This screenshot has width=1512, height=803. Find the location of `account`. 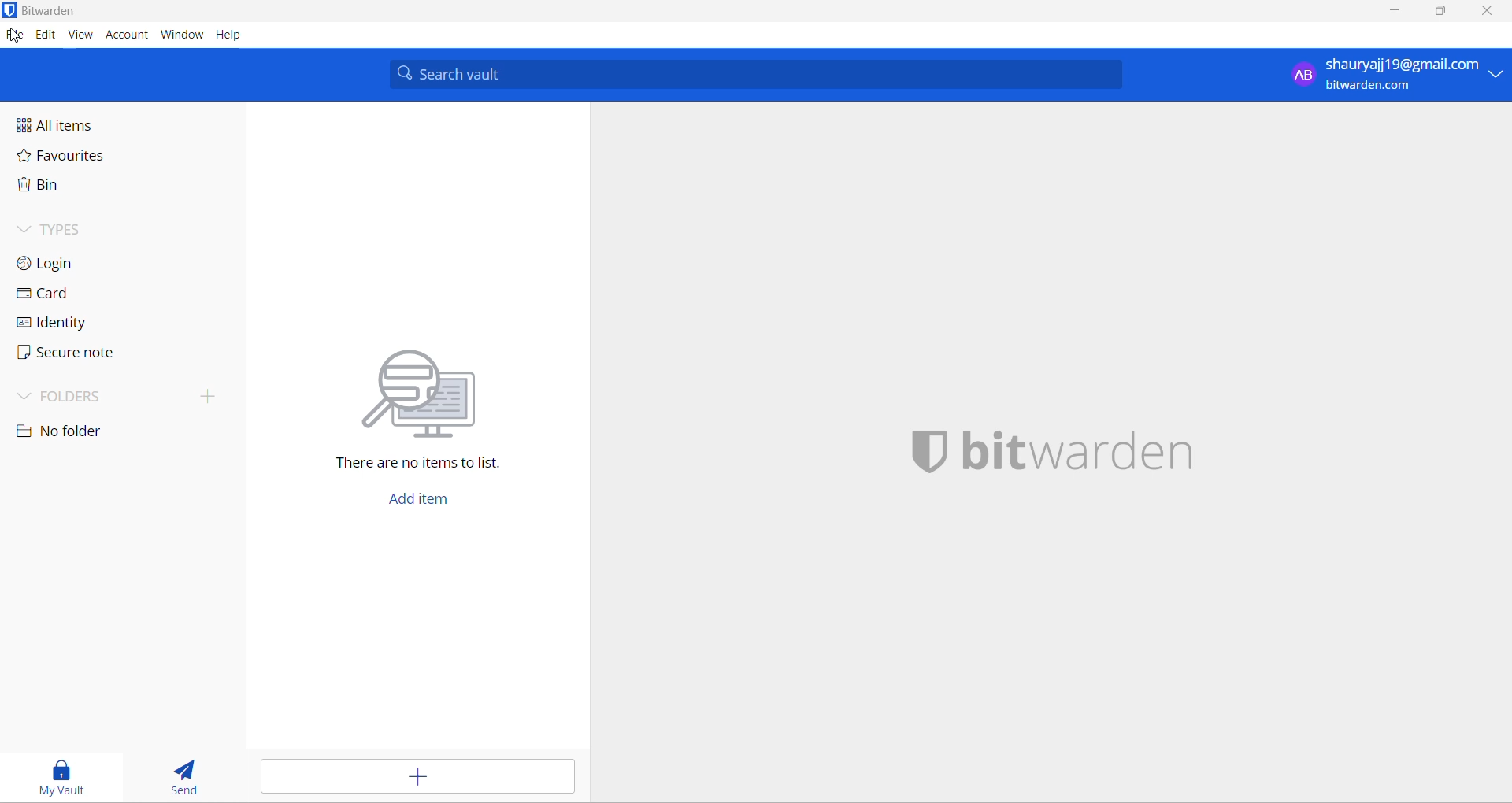

account is located at coordinates (126, 37).